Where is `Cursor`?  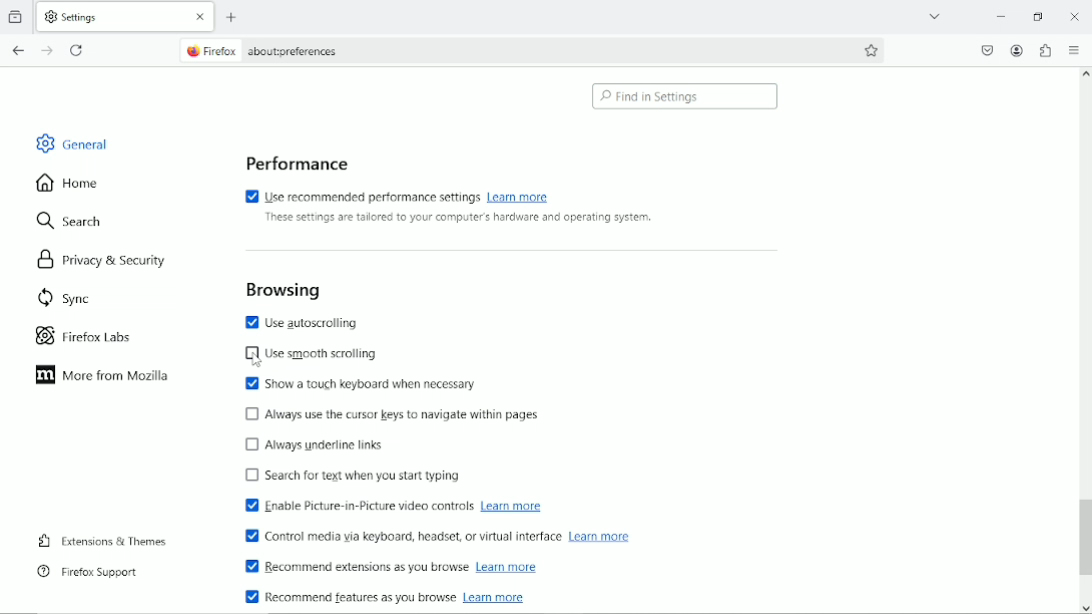
Cursor is located at coordinates (255, 360).